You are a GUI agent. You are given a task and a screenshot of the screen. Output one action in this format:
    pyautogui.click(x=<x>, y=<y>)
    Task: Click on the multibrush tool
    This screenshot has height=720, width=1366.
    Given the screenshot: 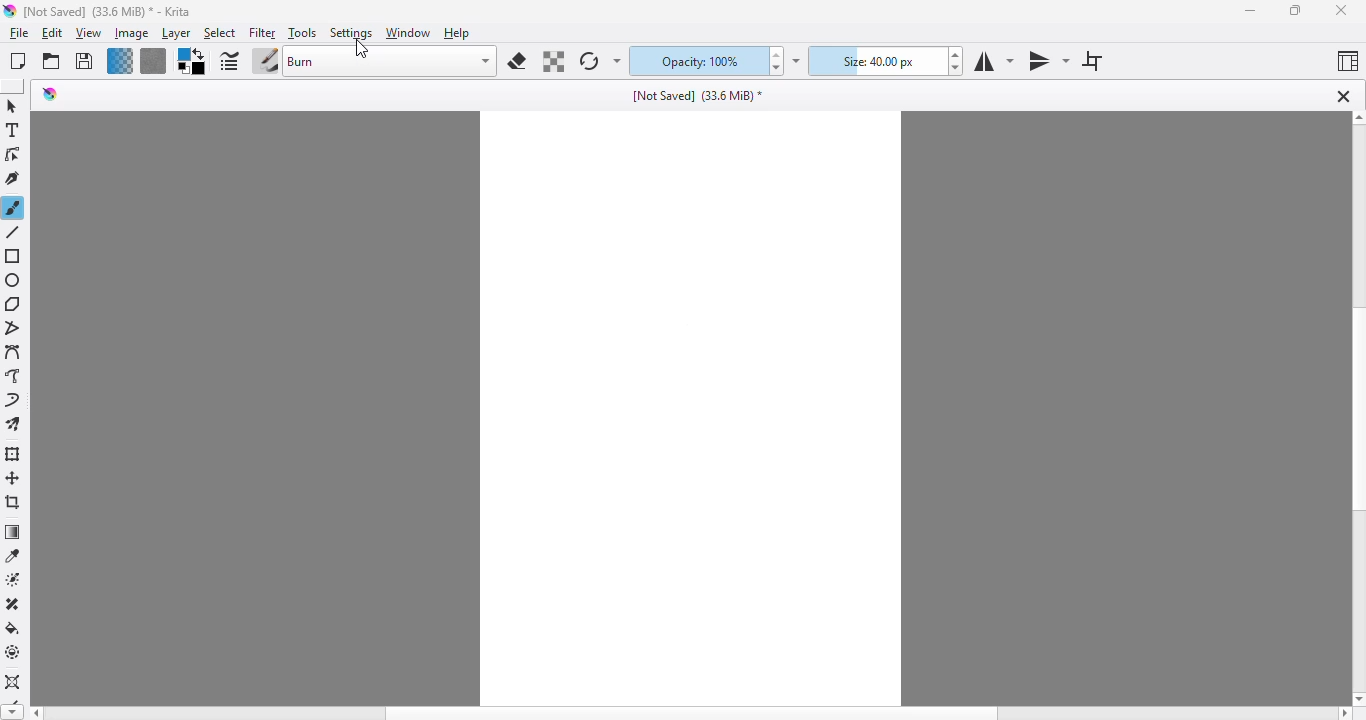 What is the action you would take?
    pyautogui.click(x=13, y=425)
    